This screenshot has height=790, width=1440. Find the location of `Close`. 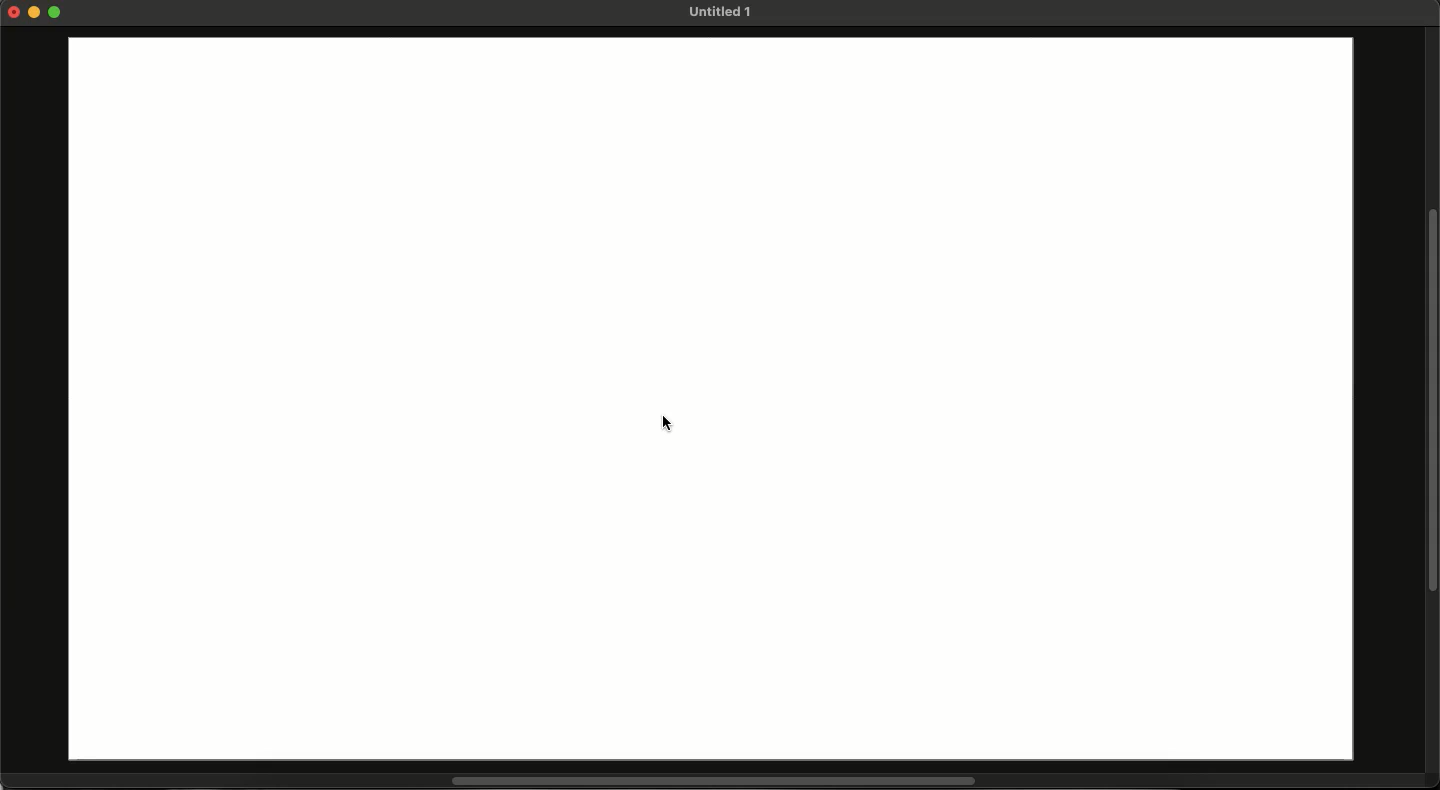

Close is located at coordinates (14, 11).